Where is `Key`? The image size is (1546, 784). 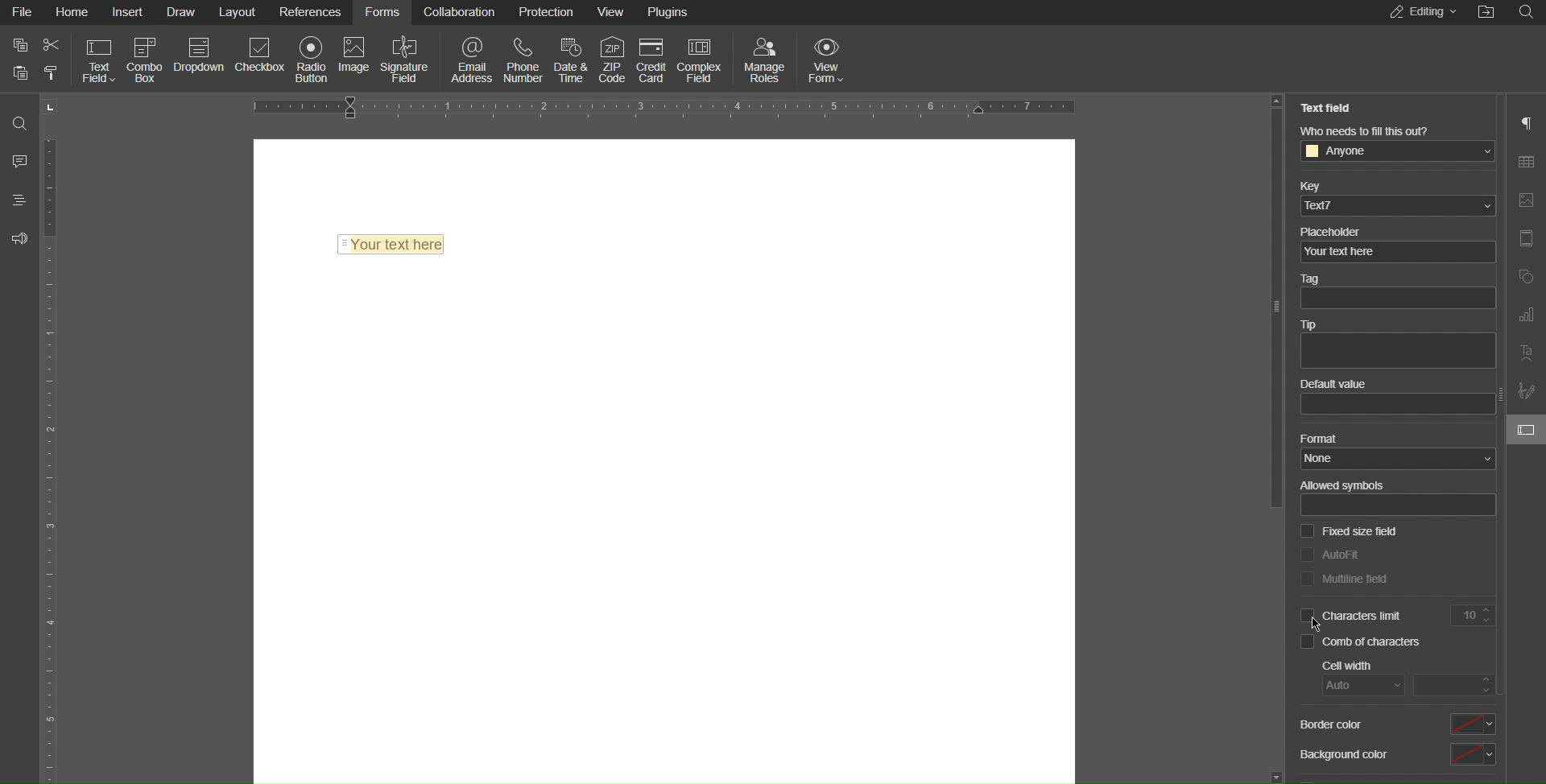
Key is located at coordinates (1395, 196).